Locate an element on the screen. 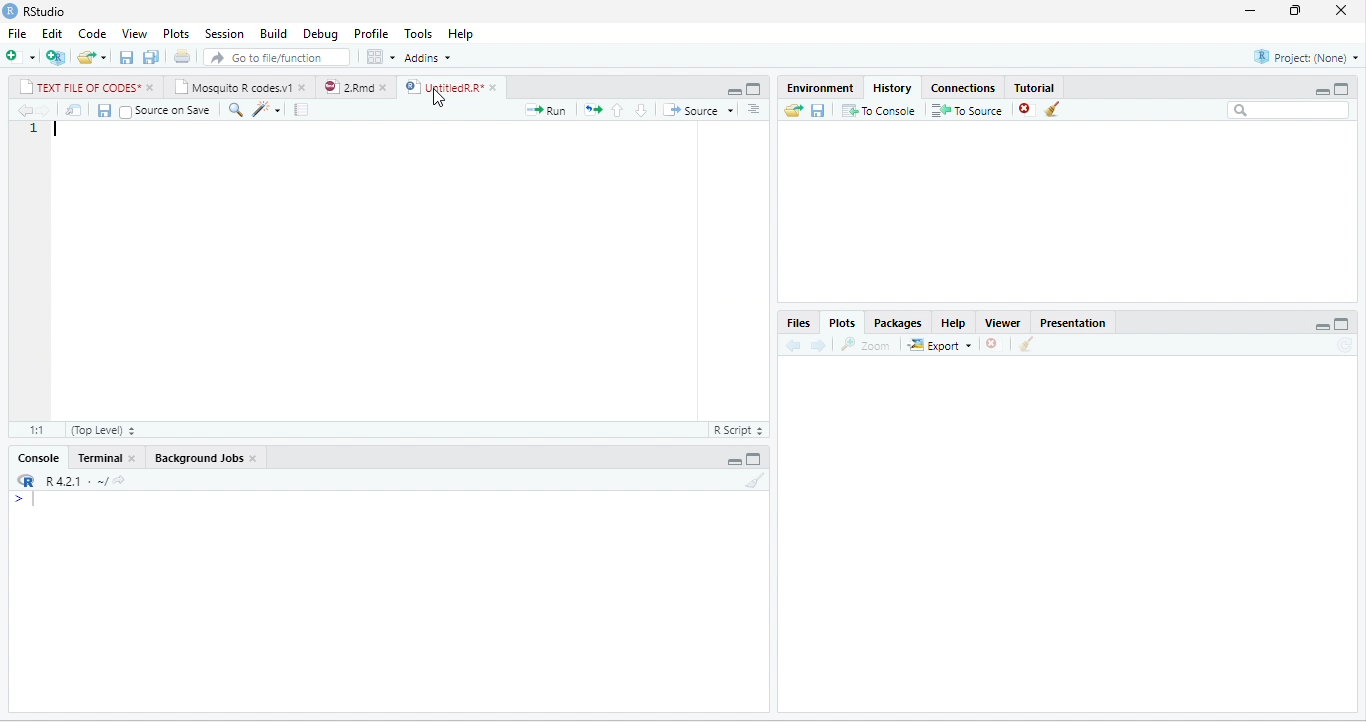 The image size is (1366, 722). Tutorial is located at coordinates (1034, 87).